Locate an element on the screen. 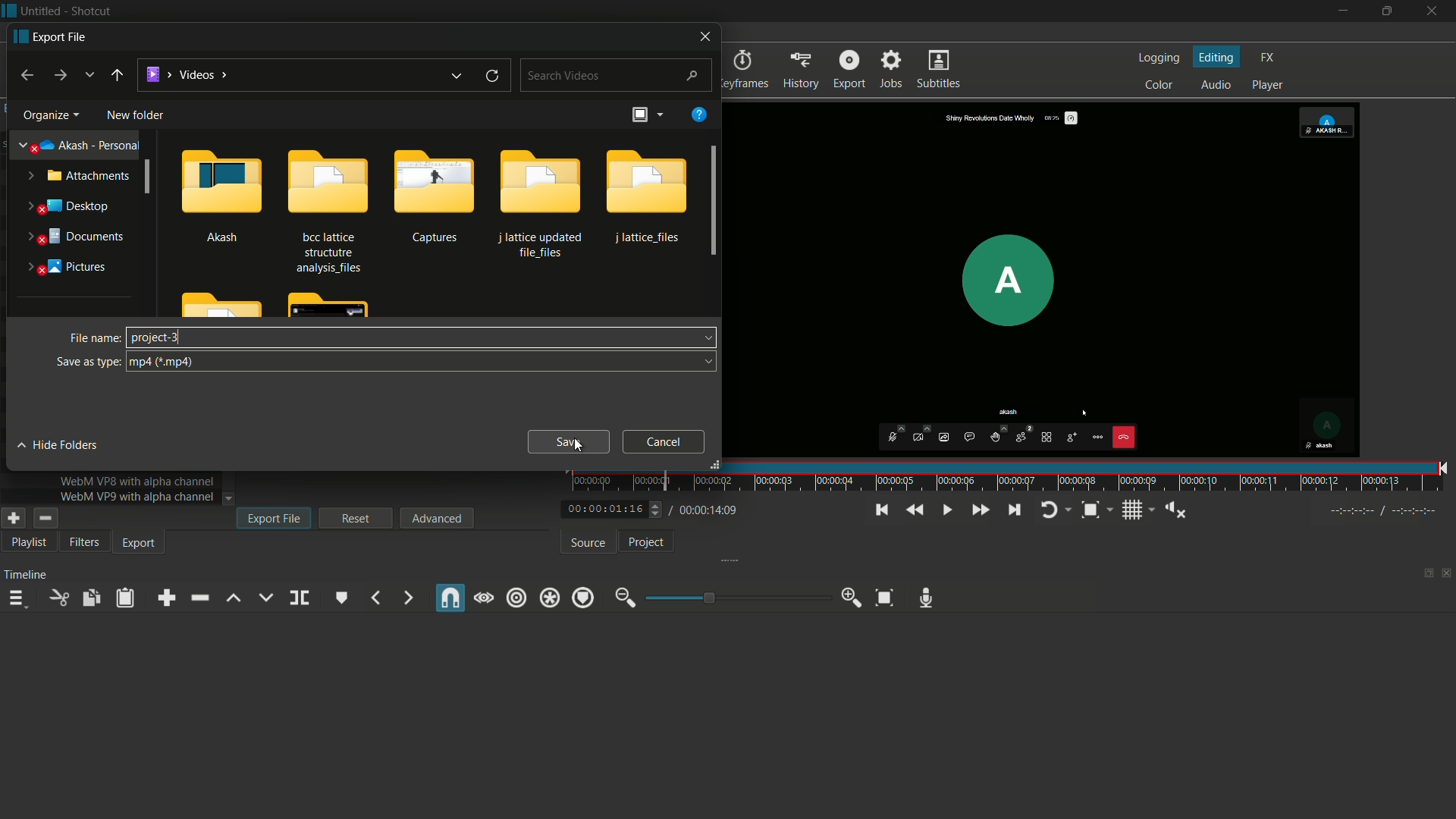 This screenshot has width=1456, height=819. Export is located at coordinates (849, 68).